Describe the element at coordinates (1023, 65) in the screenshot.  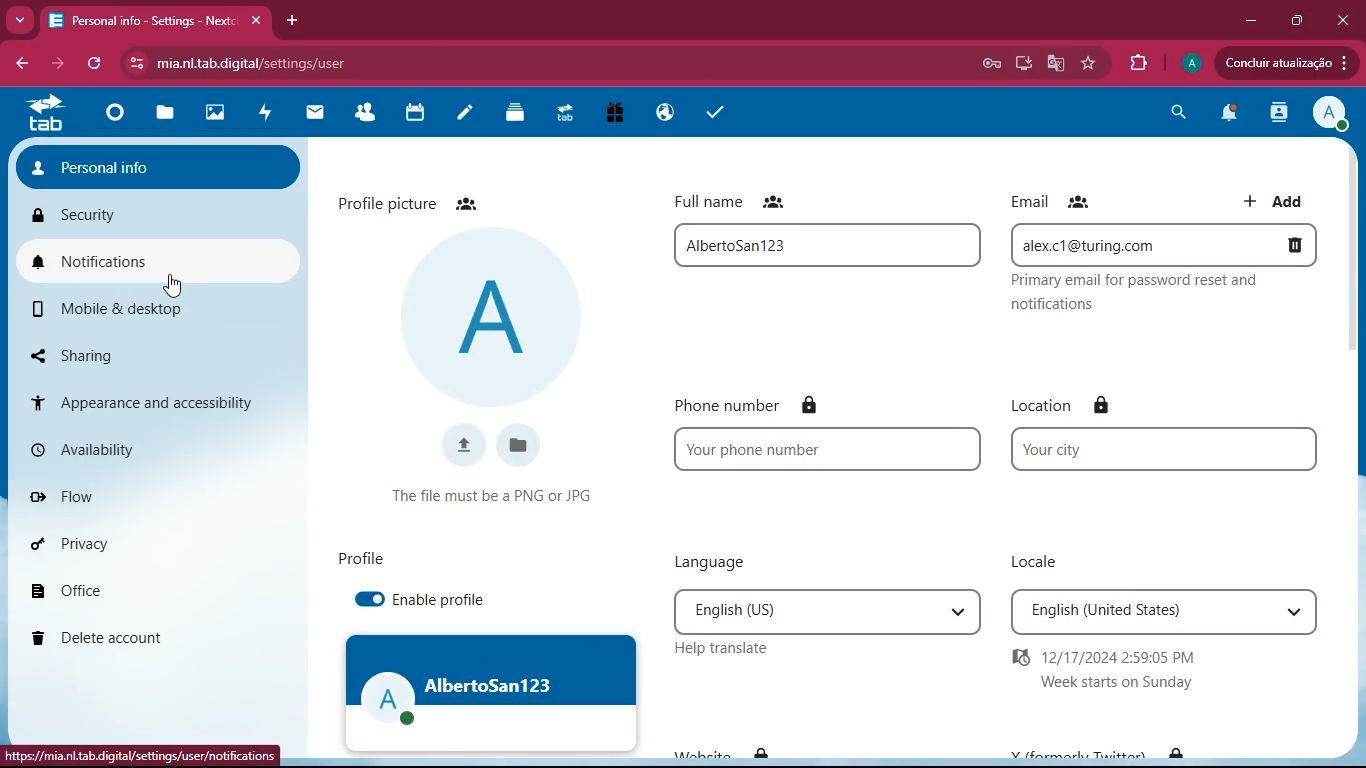
I see `desktop` at that location.